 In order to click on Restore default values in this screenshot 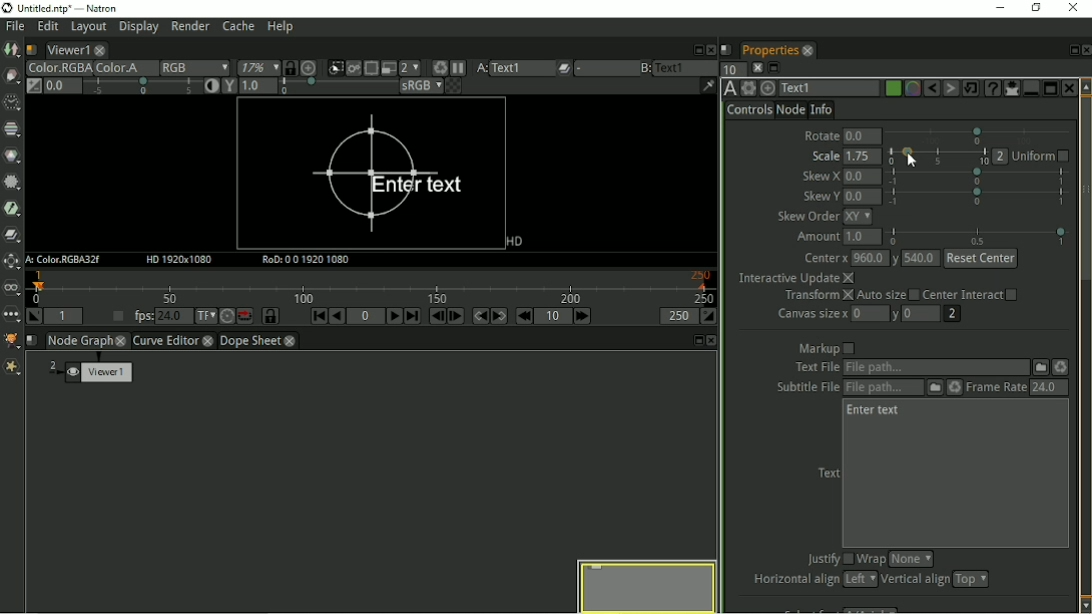, I will do `click(970, 88)`.